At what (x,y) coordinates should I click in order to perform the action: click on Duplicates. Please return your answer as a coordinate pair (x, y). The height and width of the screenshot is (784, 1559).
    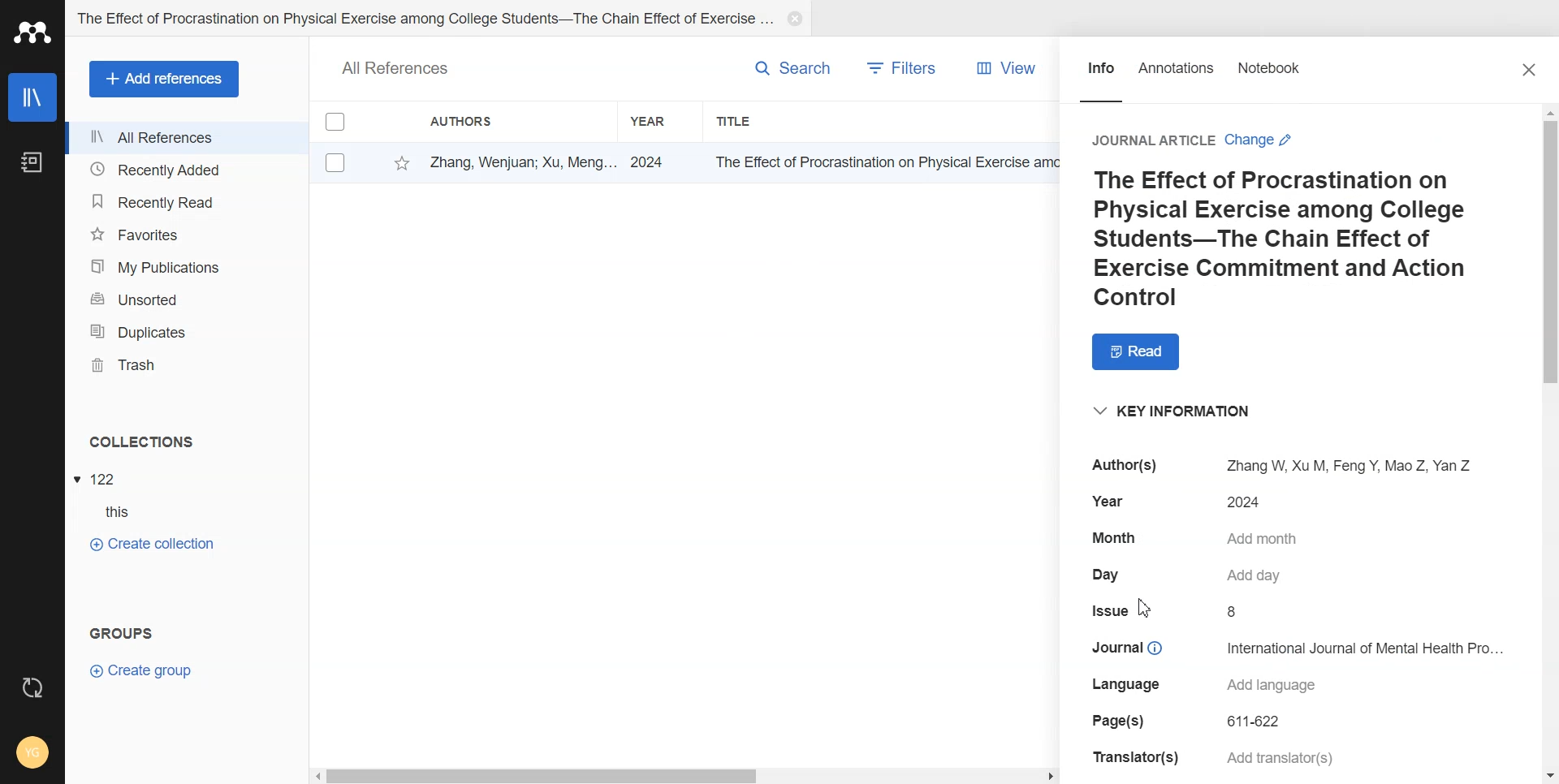
    Looking at the image, I should click on (187, 330).